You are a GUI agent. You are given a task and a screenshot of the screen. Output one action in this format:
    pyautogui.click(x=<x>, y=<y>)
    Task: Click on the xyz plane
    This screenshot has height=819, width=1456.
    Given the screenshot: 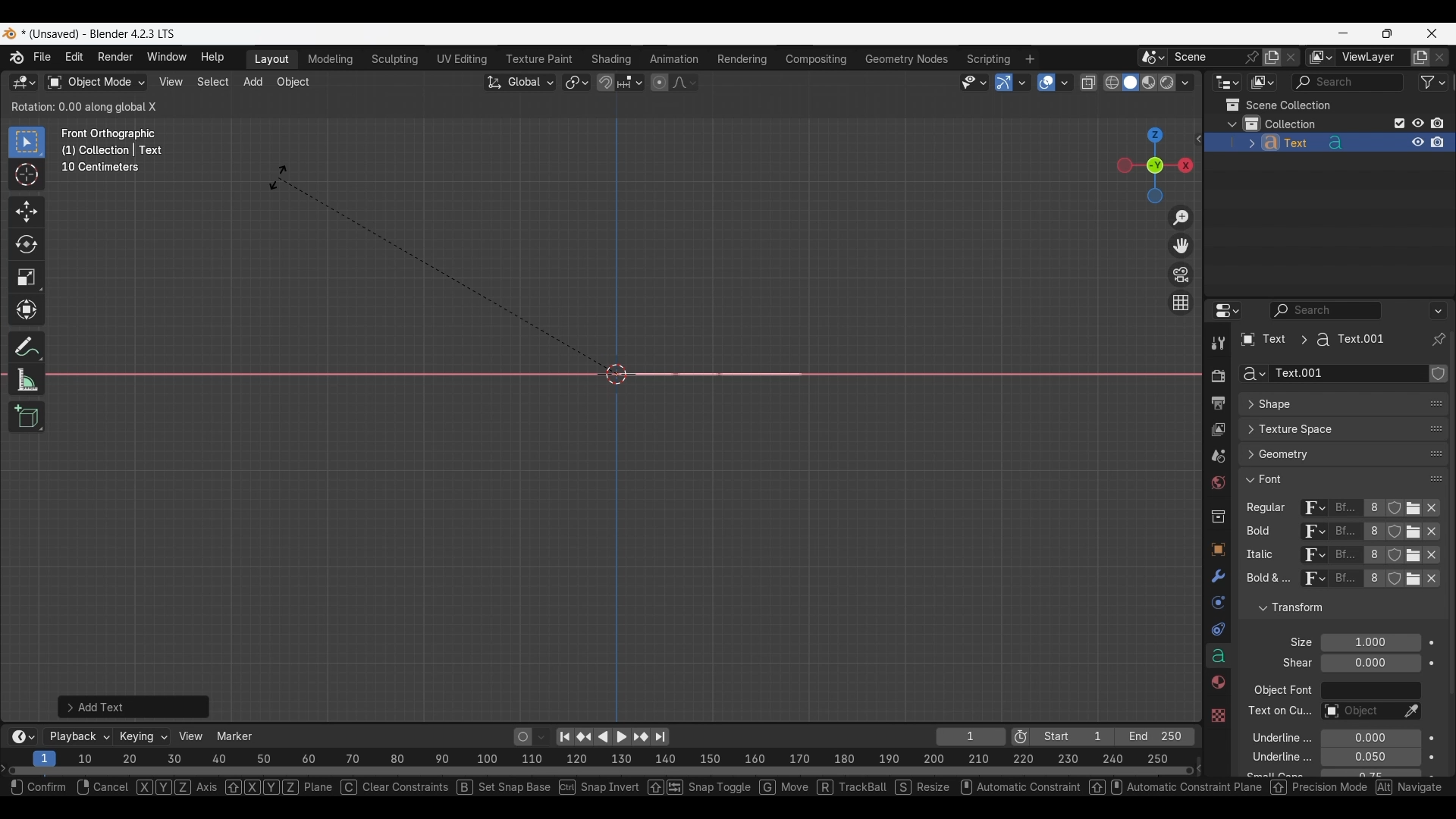 What is the action you would take?
    pyautogui.click(x=281, y=789)
    